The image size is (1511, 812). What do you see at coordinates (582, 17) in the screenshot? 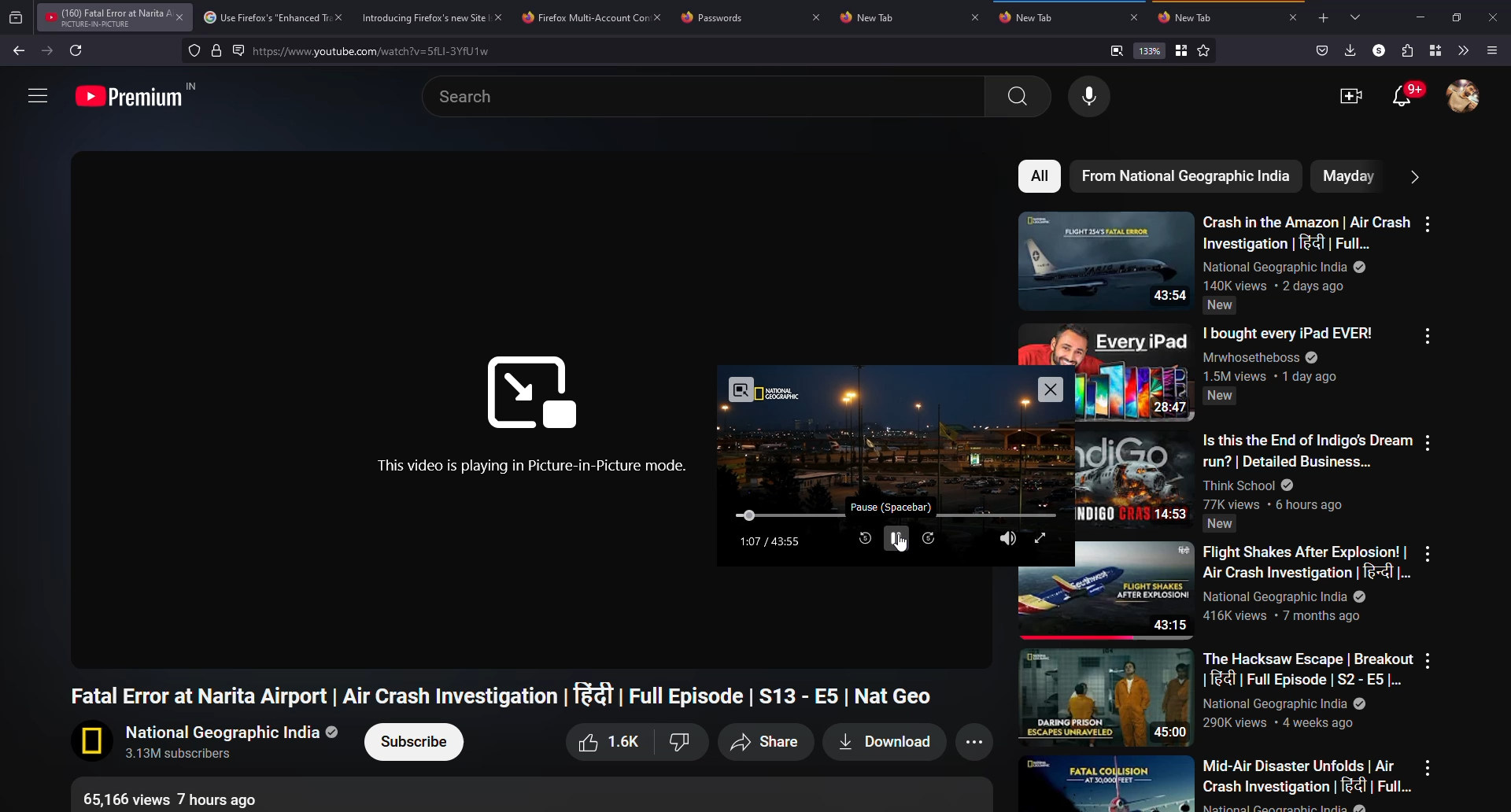
I see `Firefox tab` at bounding box center [582, 17].